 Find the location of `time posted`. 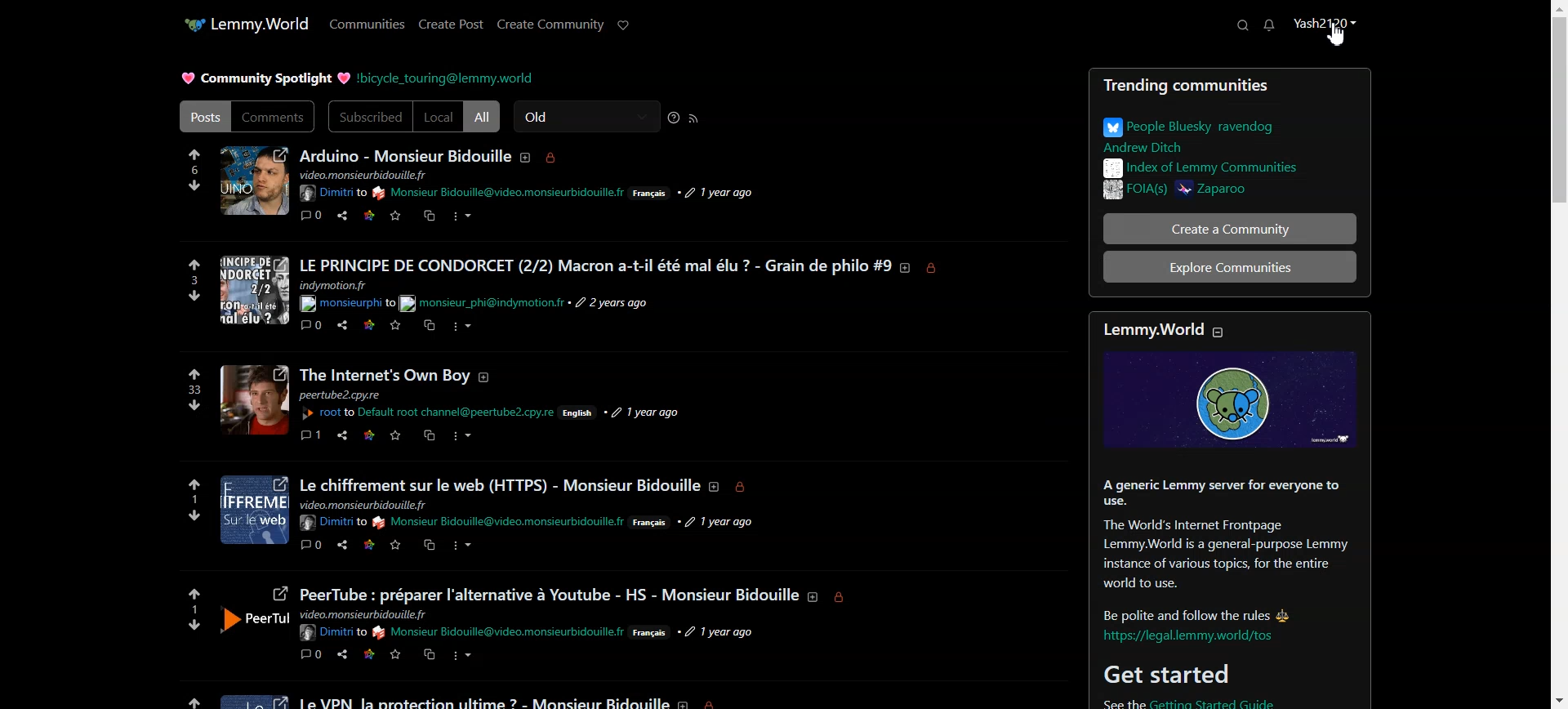

time posted is located at coordinates (720, 192).